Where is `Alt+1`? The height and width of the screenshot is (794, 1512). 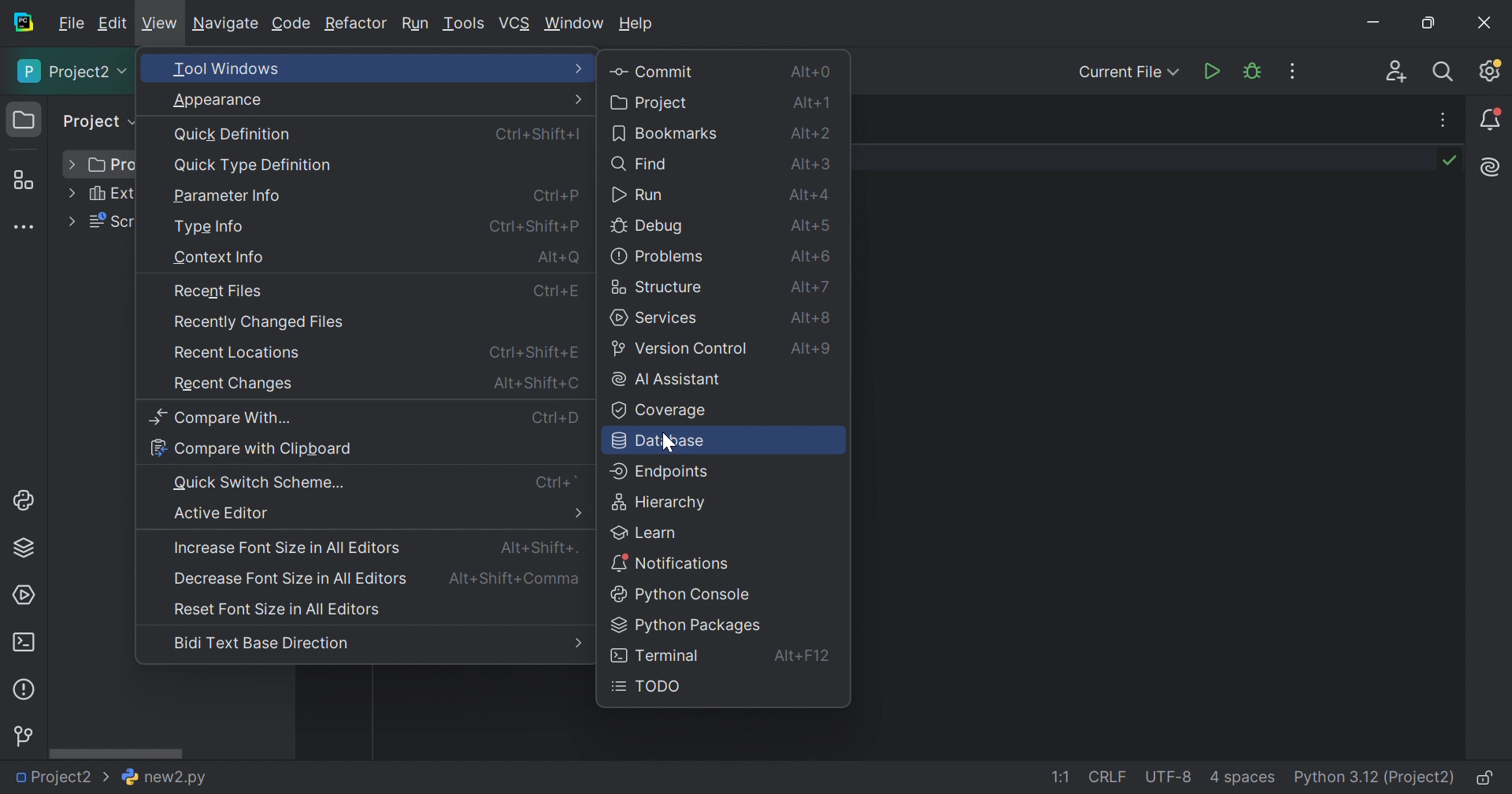 Alt+1 is located at coordinates (809, 103).